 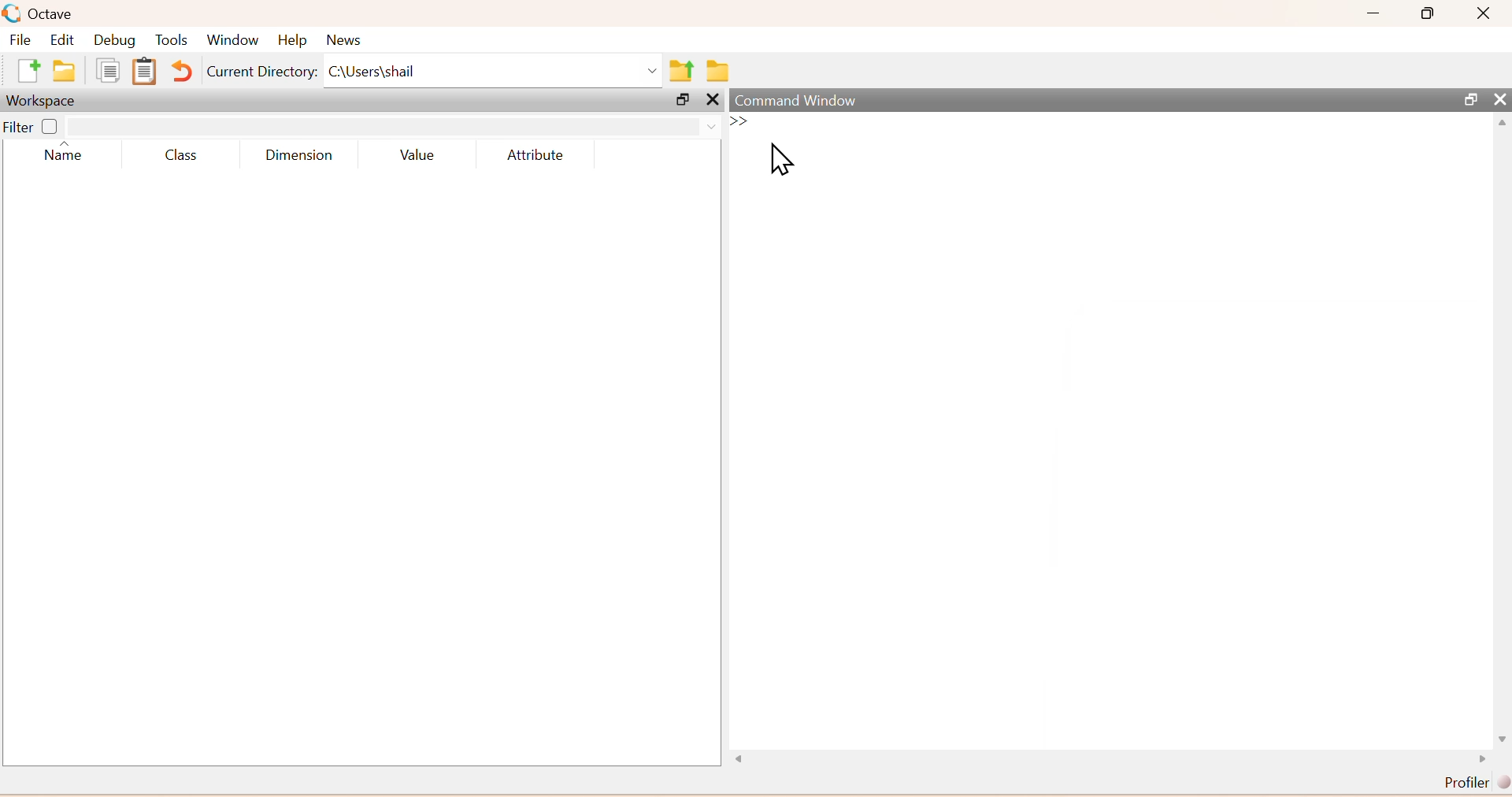 I want to click on Maximize, so click(x=680, y=100).